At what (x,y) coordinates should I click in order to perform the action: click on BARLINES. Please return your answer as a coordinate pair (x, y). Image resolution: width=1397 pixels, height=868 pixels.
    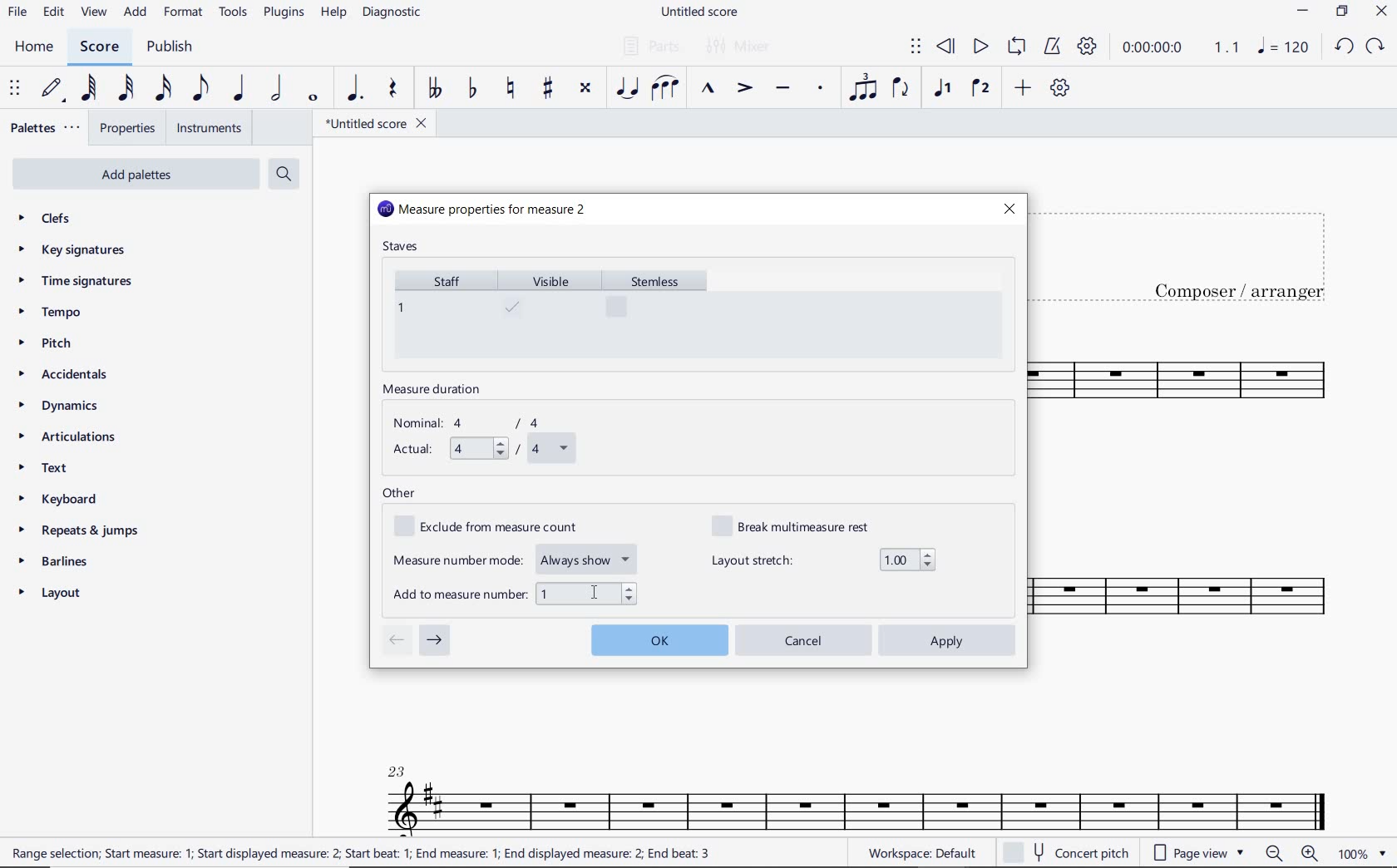
    Looking at the image, I should click on (59, 565).